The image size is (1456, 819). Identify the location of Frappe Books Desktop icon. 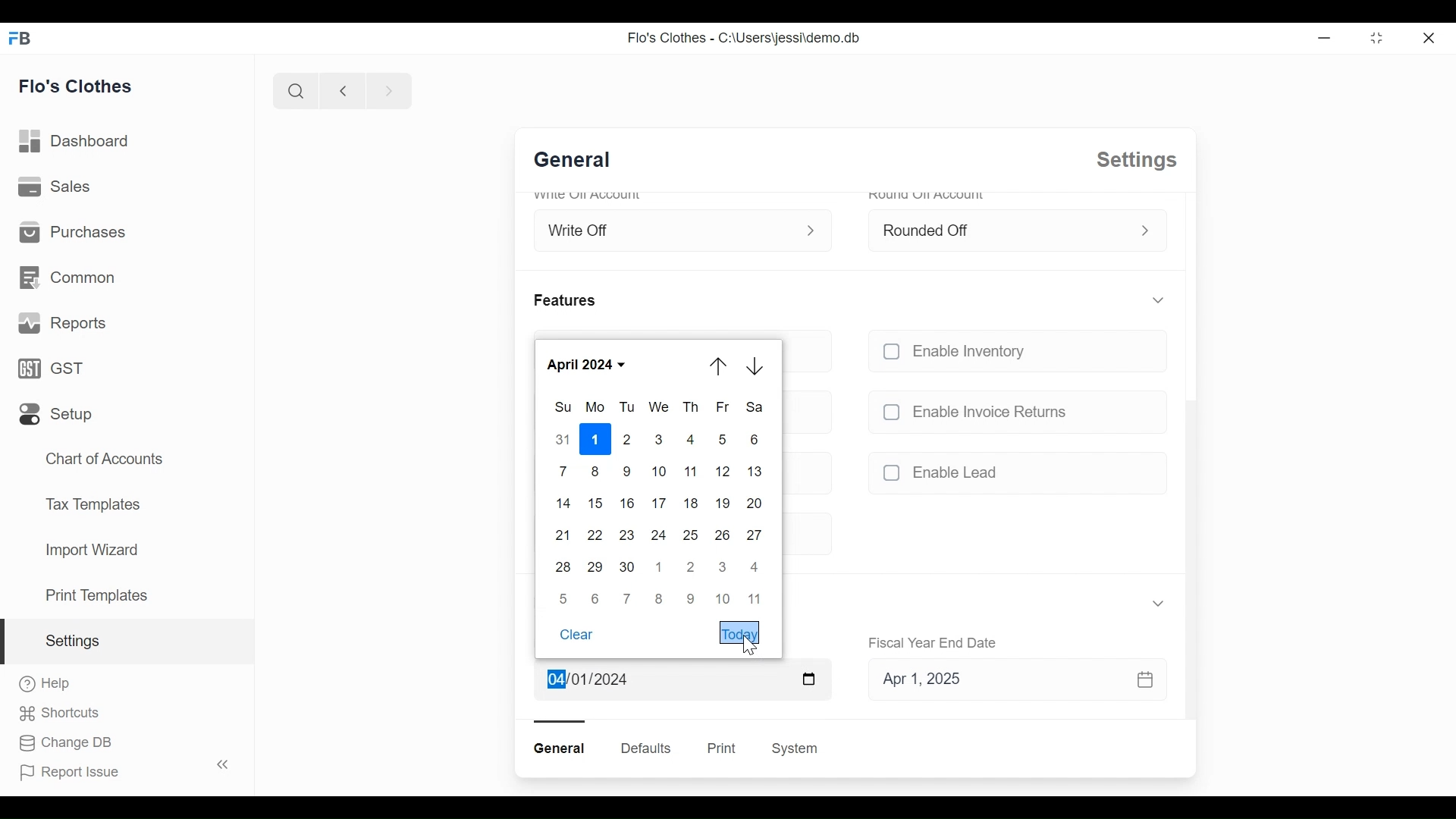
(24, 37).